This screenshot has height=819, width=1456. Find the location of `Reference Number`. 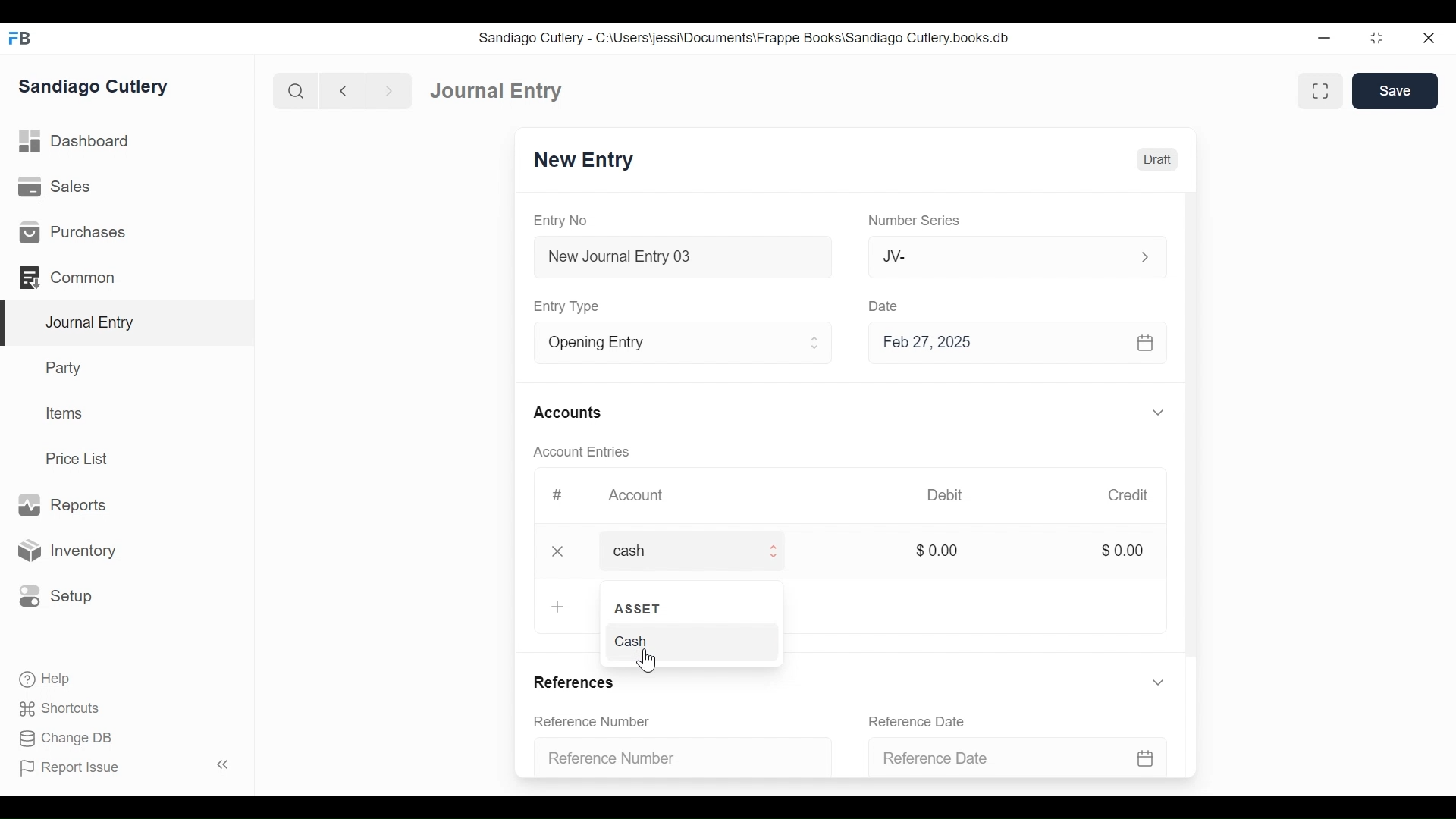

Reference Number is located at coordinates (674, 755).